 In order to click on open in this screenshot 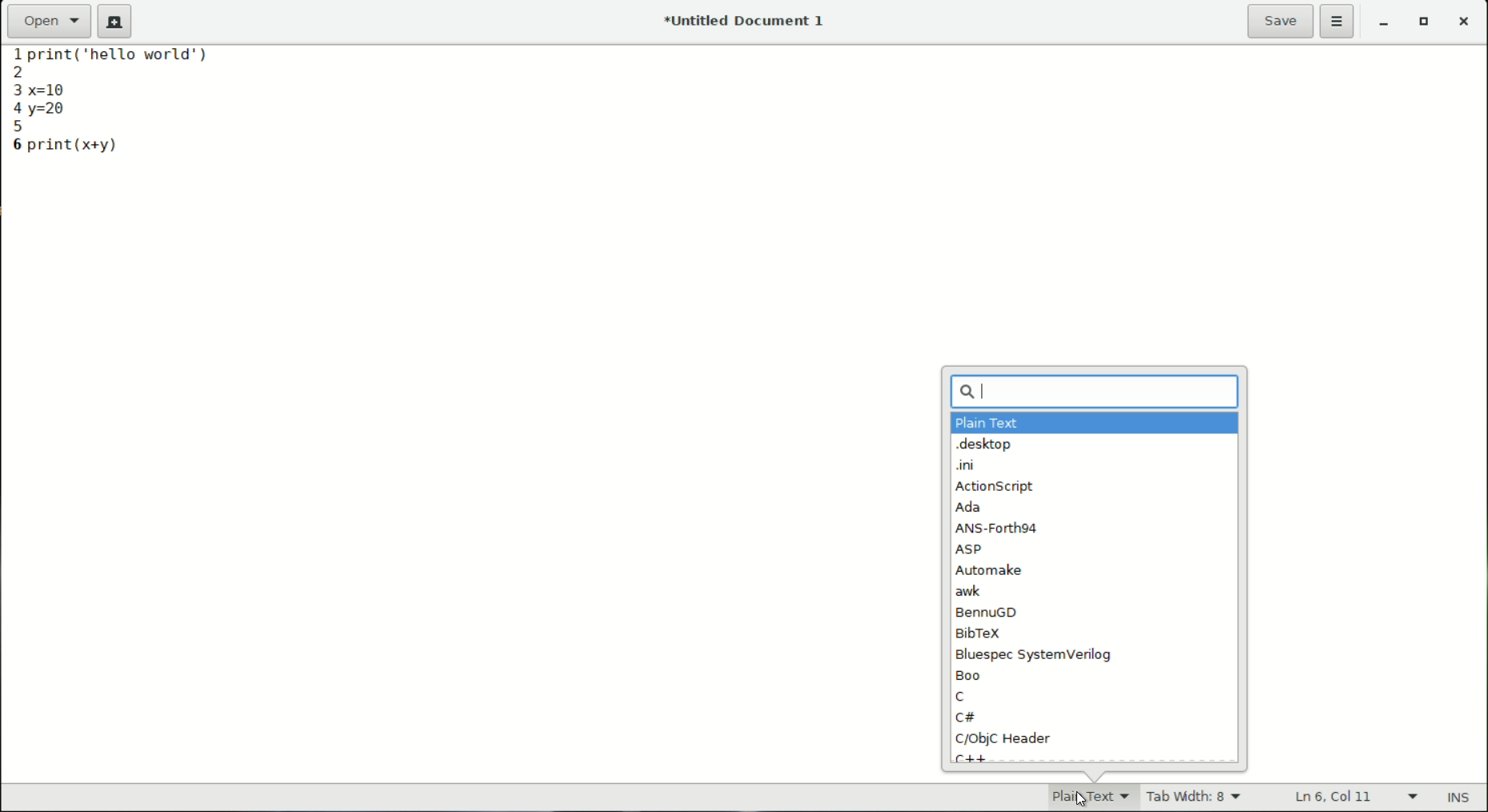, I will do `click(50, 20)`.